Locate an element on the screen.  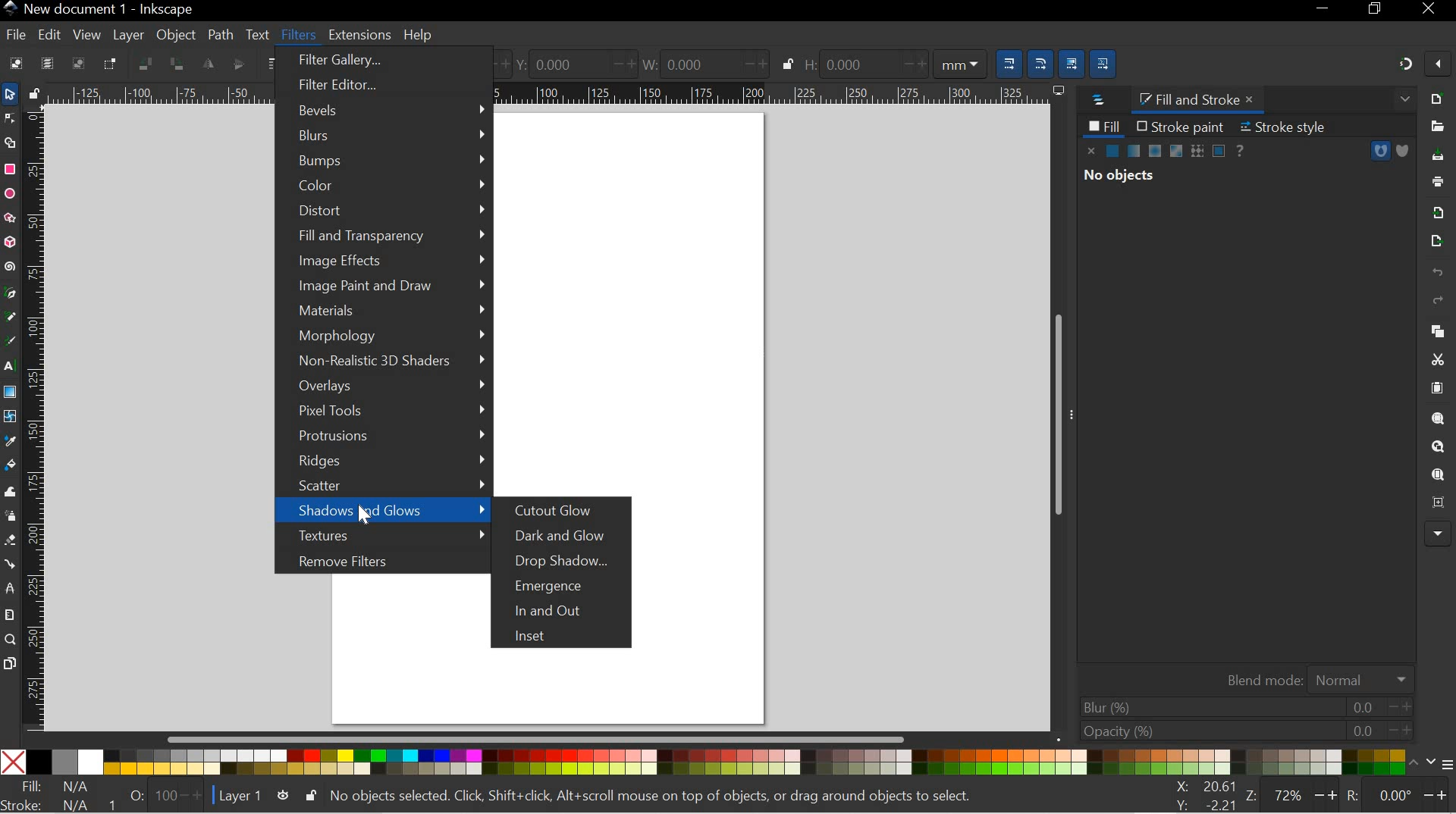
DESELECT ANY SELECTED OBJECTS is located at coordinates (78, 63).